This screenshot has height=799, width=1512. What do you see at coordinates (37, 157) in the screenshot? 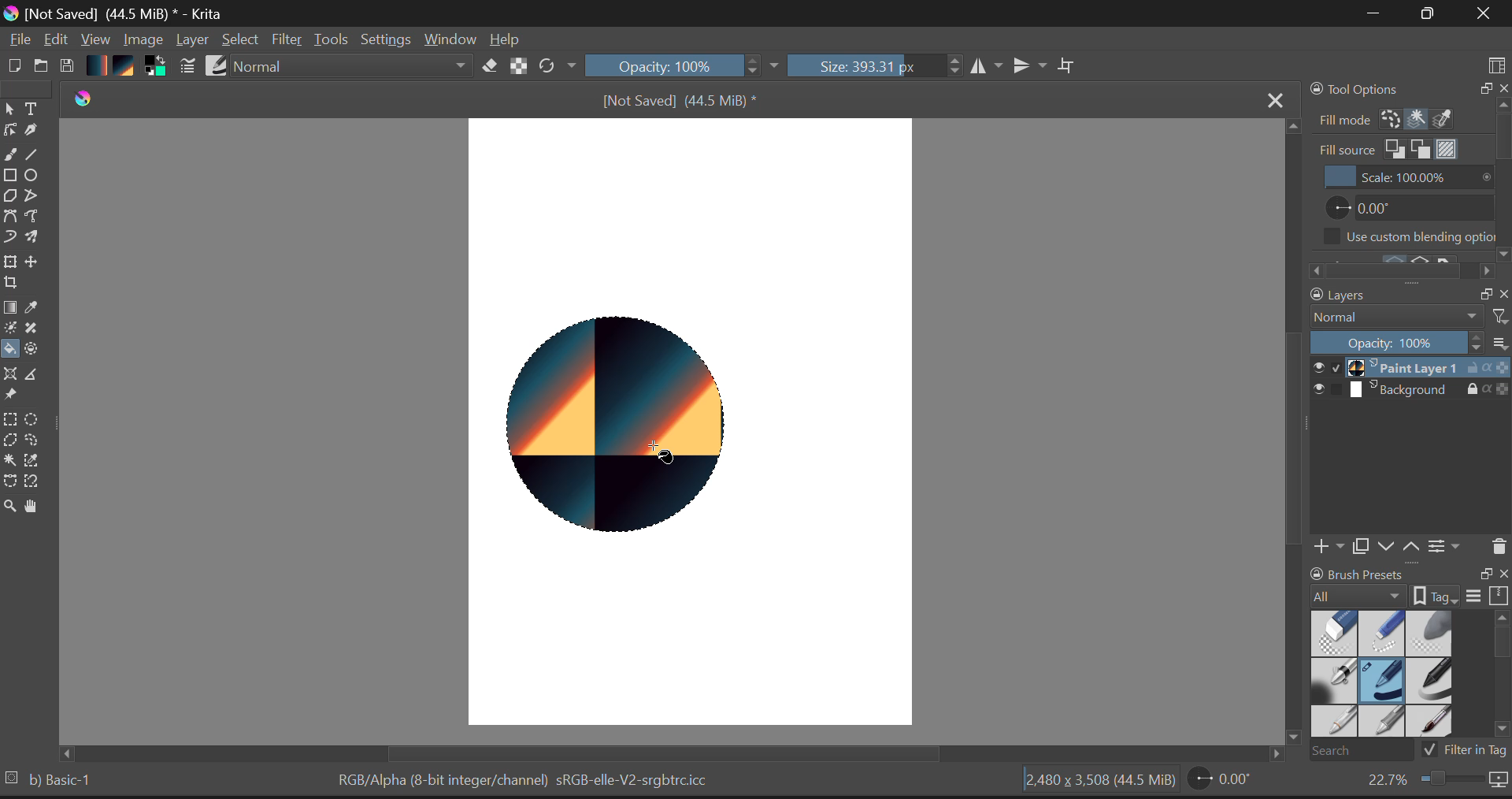
I see `Line` at bounding box center [37, 157].